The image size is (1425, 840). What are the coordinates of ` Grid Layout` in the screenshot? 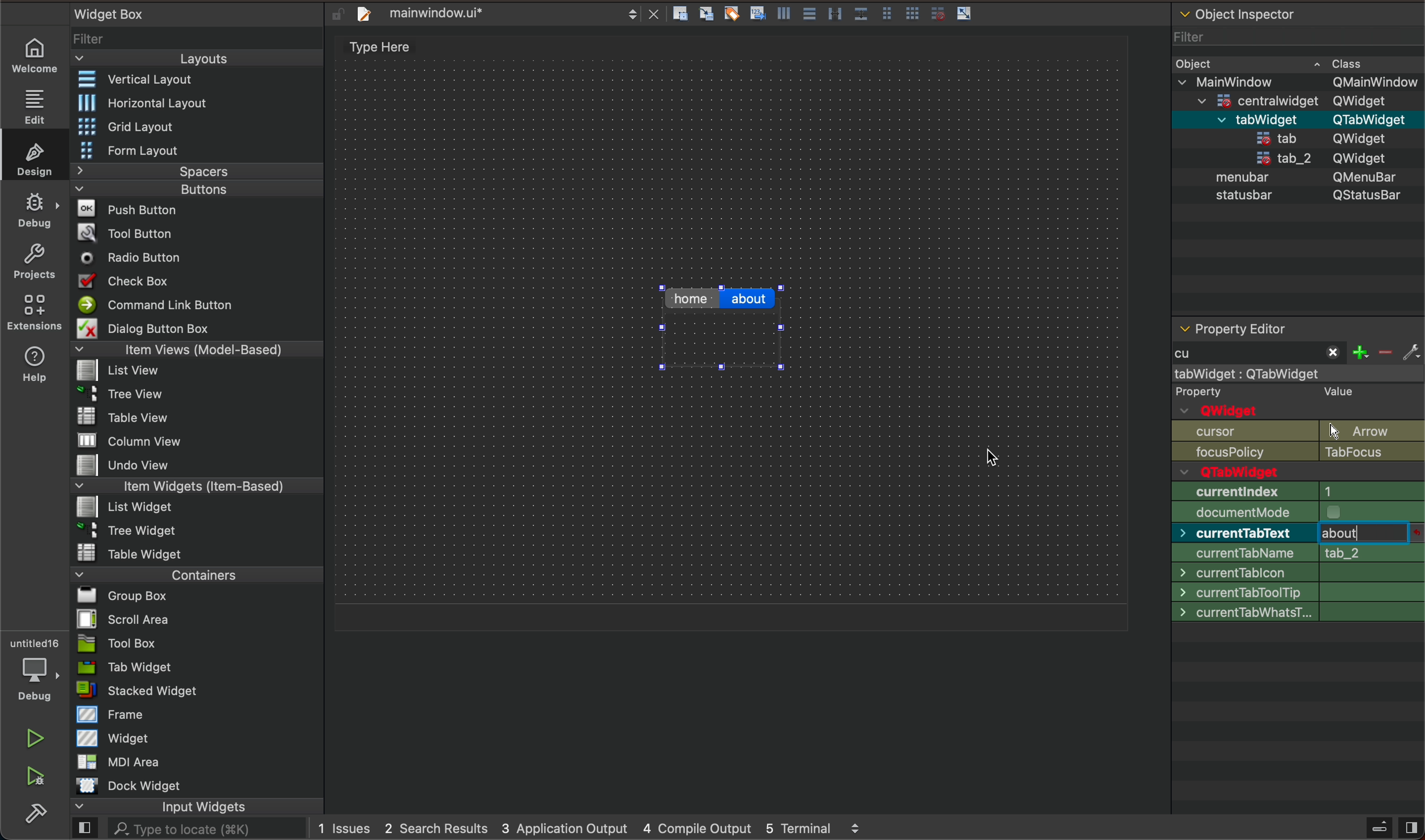 It's located at (120, 126).